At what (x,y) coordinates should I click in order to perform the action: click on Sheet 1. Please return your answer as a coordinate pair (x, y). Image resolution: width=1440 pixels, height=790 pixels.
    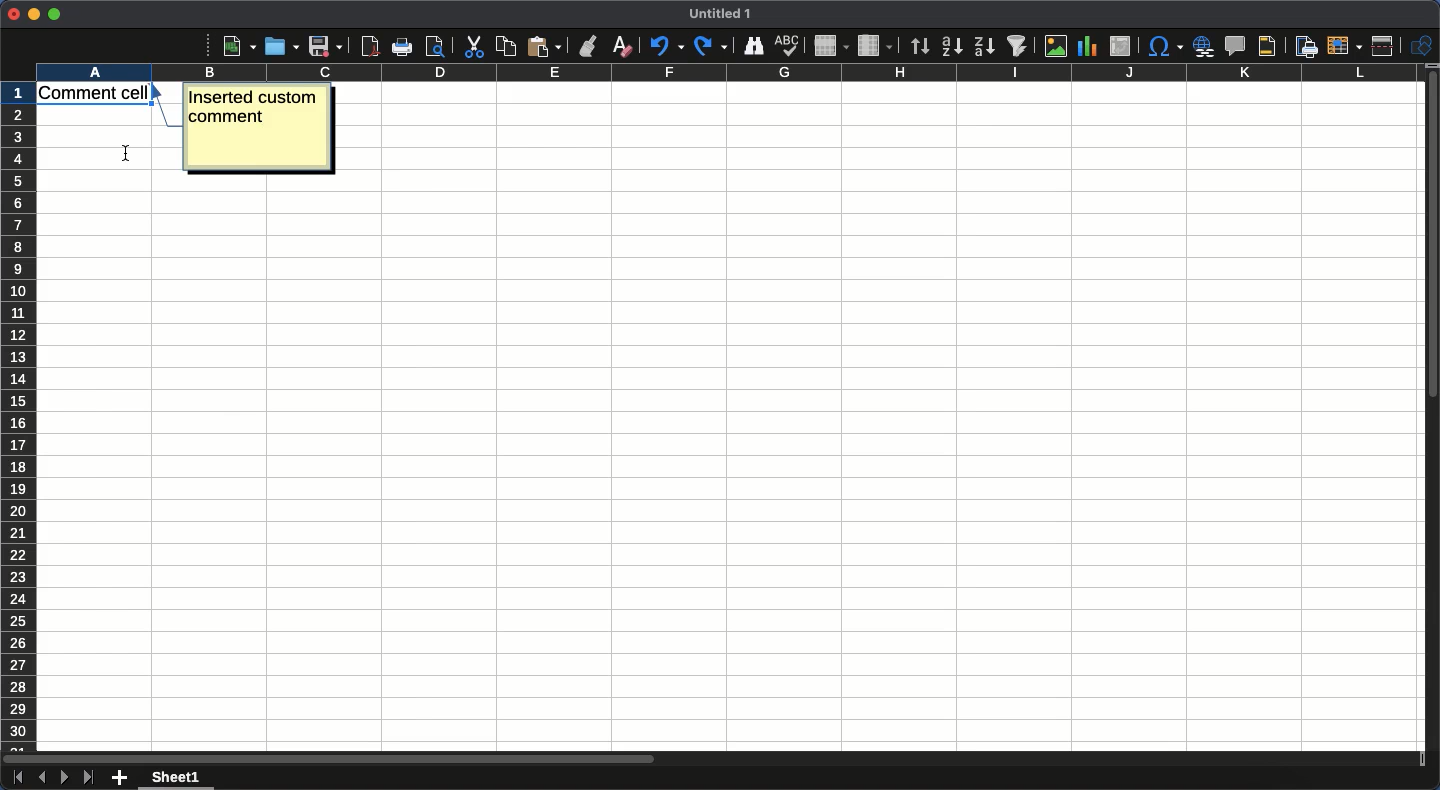
    Looking at the image, I should click on (179, 778).